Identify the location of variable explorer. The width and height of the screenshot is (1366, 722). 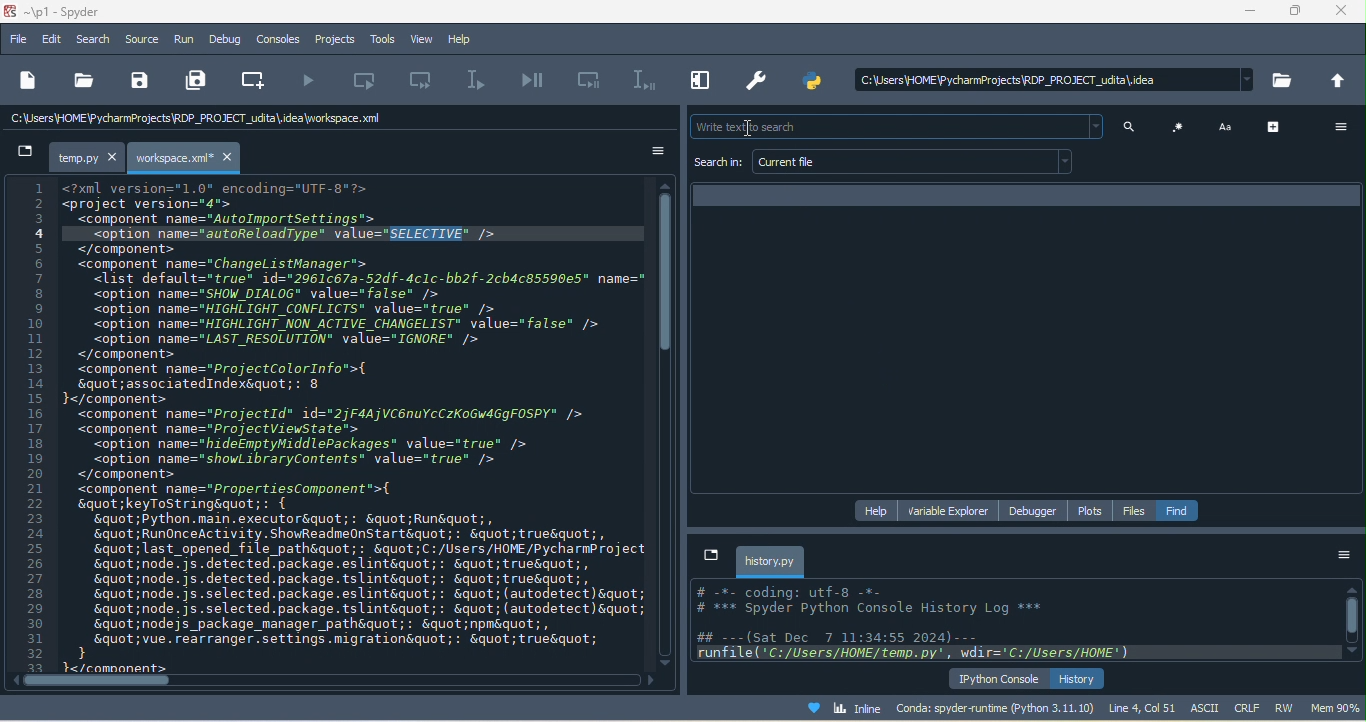
(950, 510).